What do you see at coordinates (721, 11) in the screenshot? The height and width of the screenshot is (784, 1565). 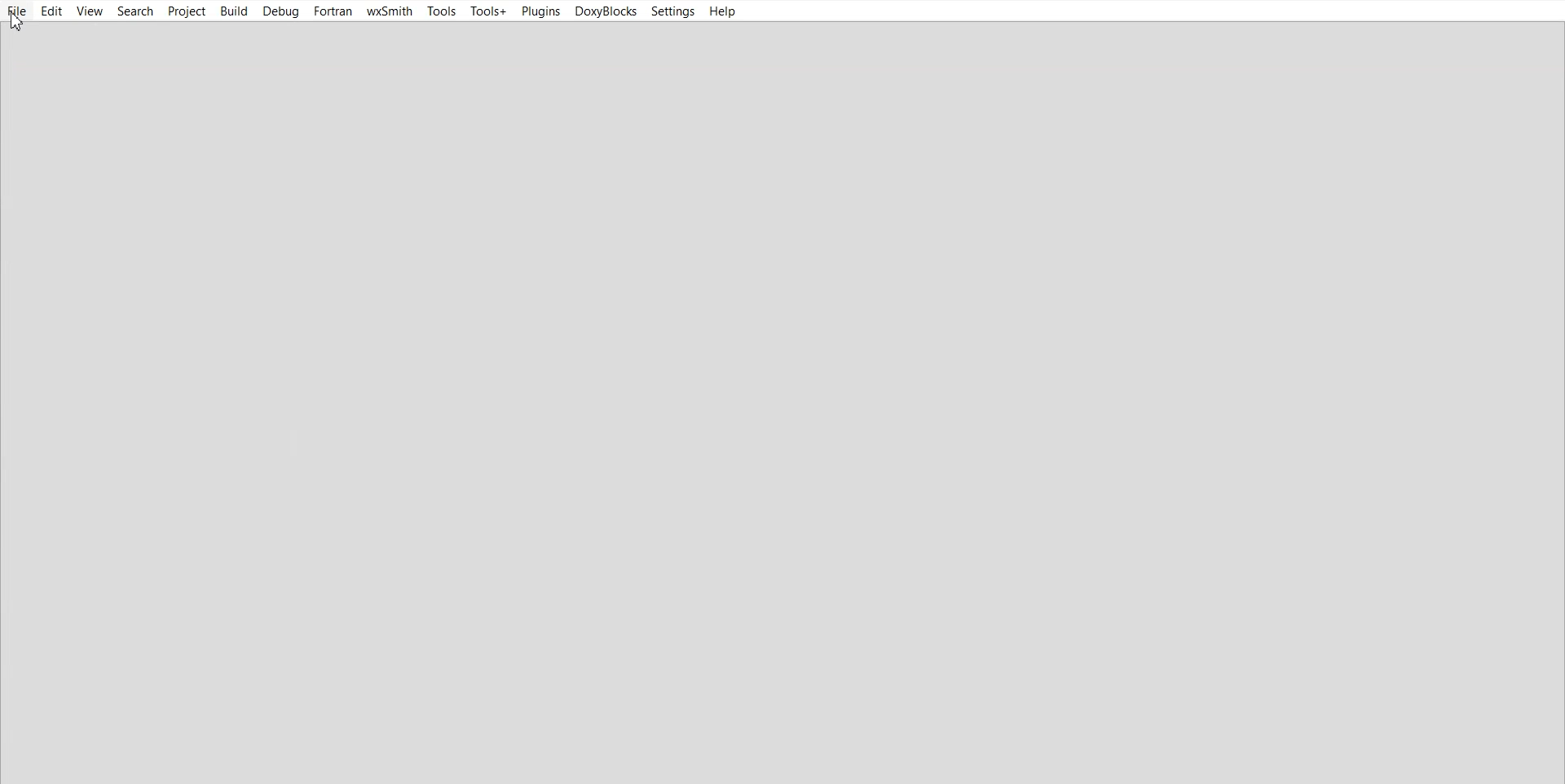 I see `Help` at bounding box center [721, 11].